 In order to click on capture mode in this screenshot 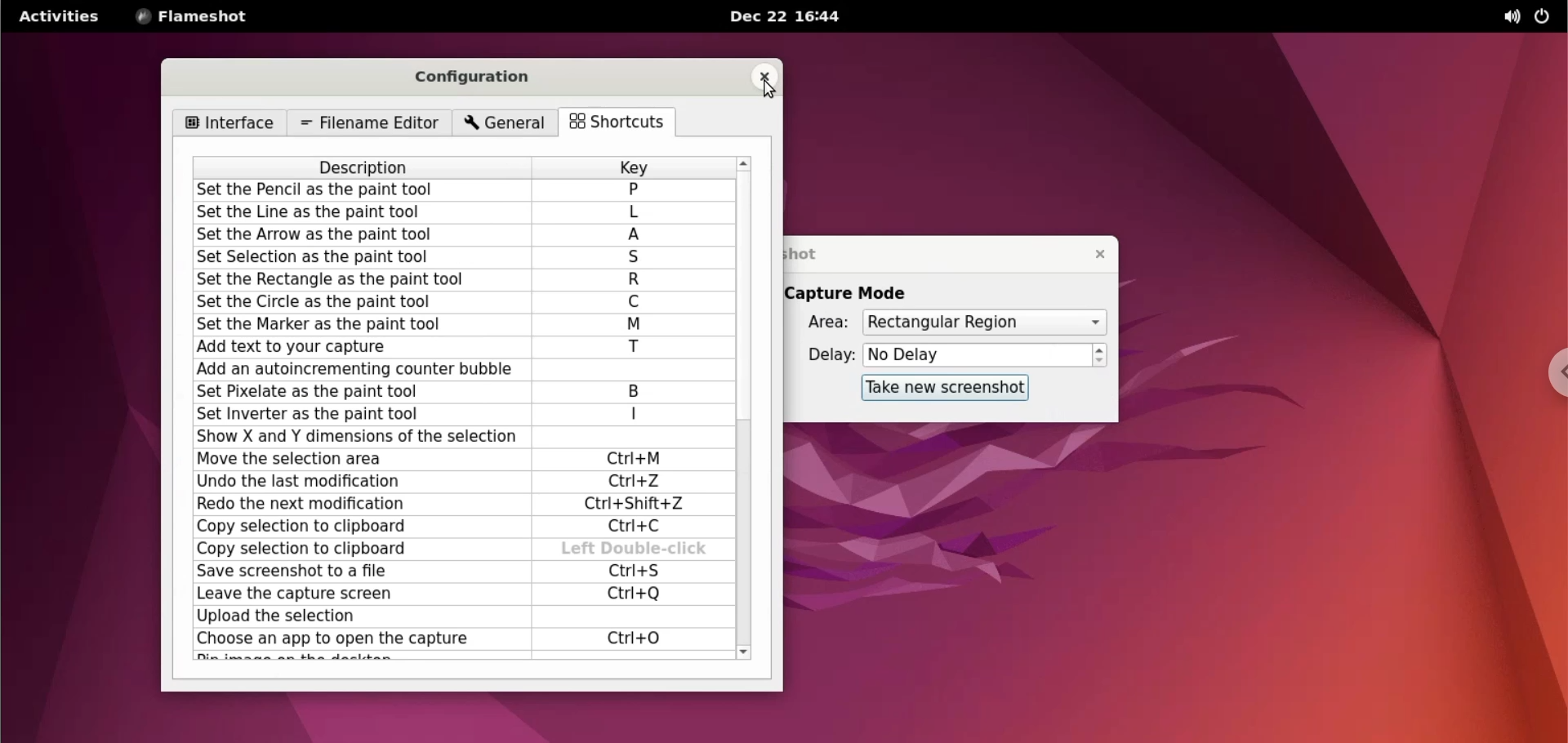, I will do `click(862, 292)`.